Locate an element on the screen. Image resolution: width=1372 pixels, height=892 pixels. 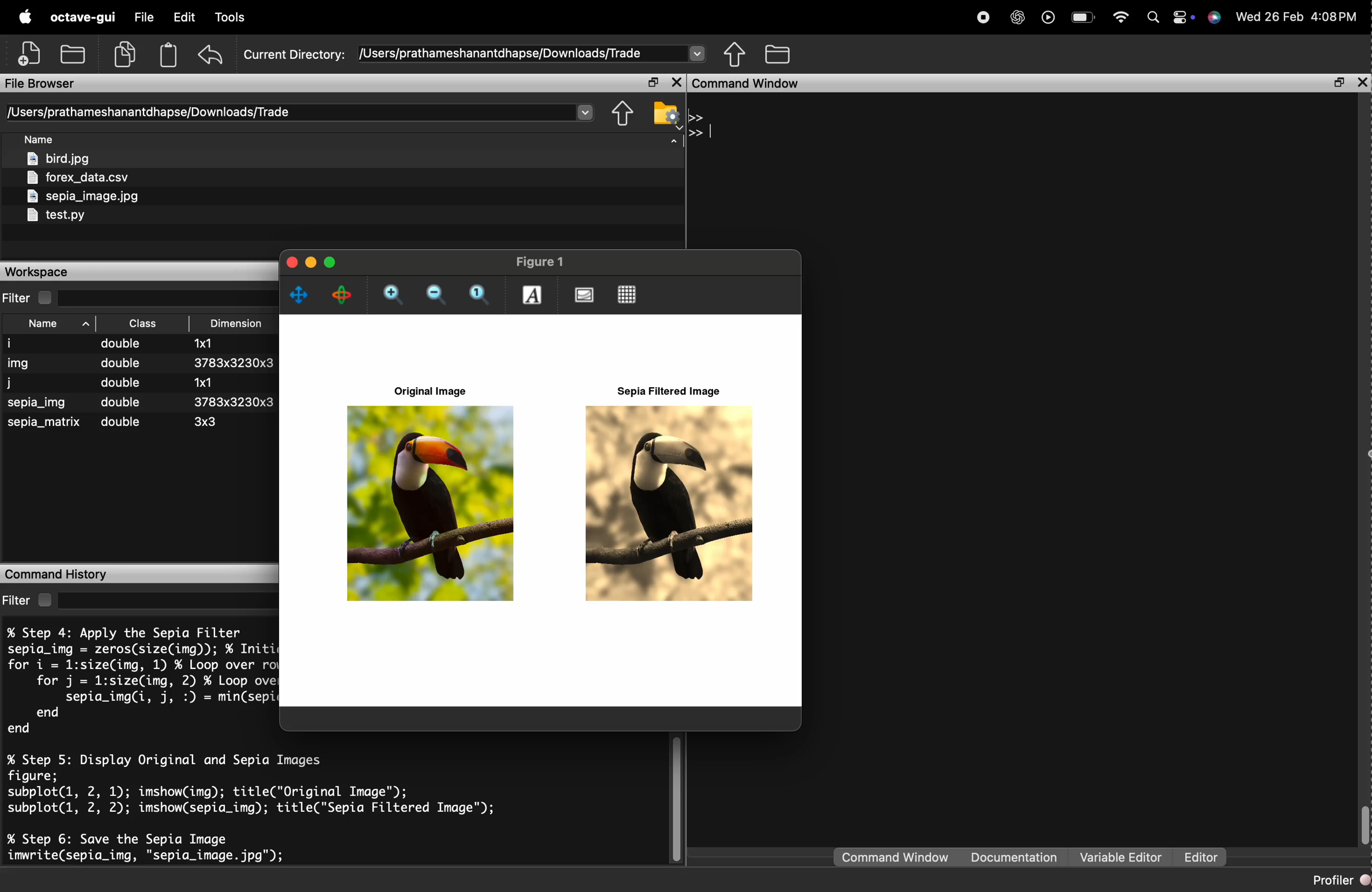
sepia_matrix ~~ double 3x3 is located at coordinates (114, 422).